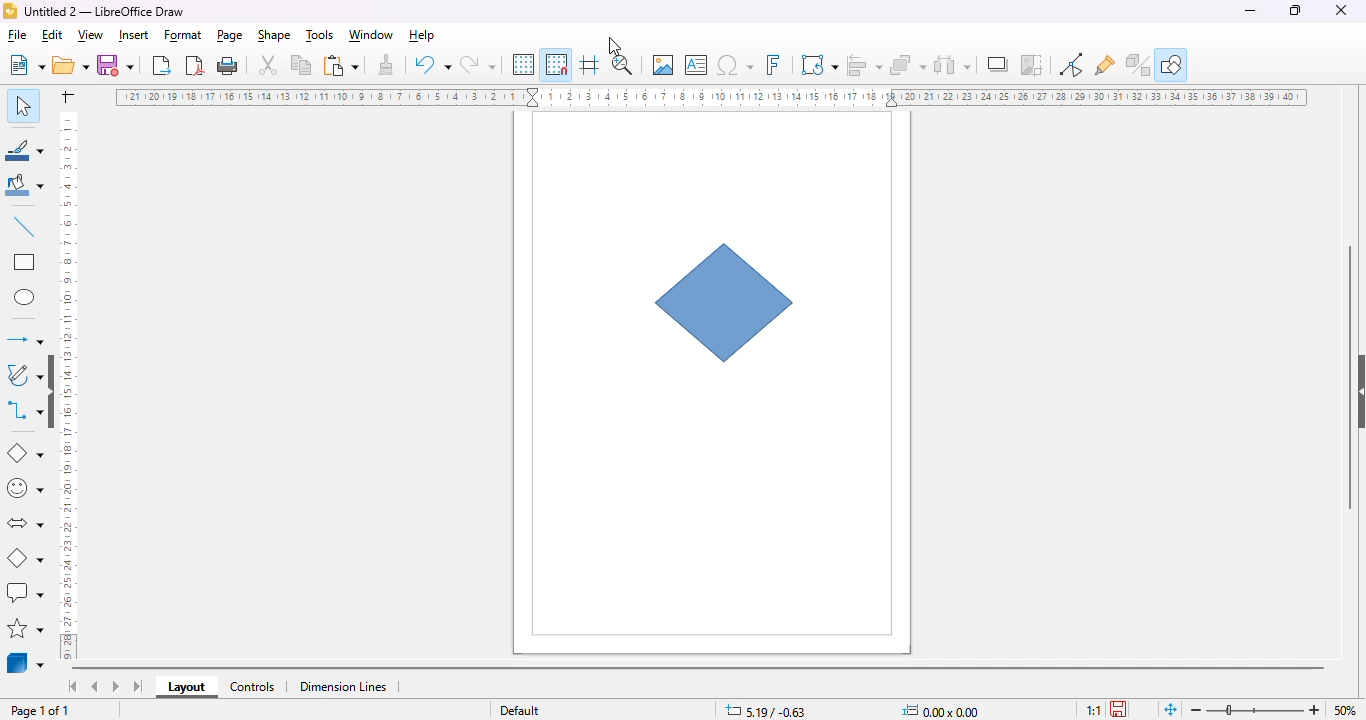 The image size is (1366, 720). What do you see at coordinates (268, 65) in the screenshot?
I see `cut` at bounding box center [268, 65].